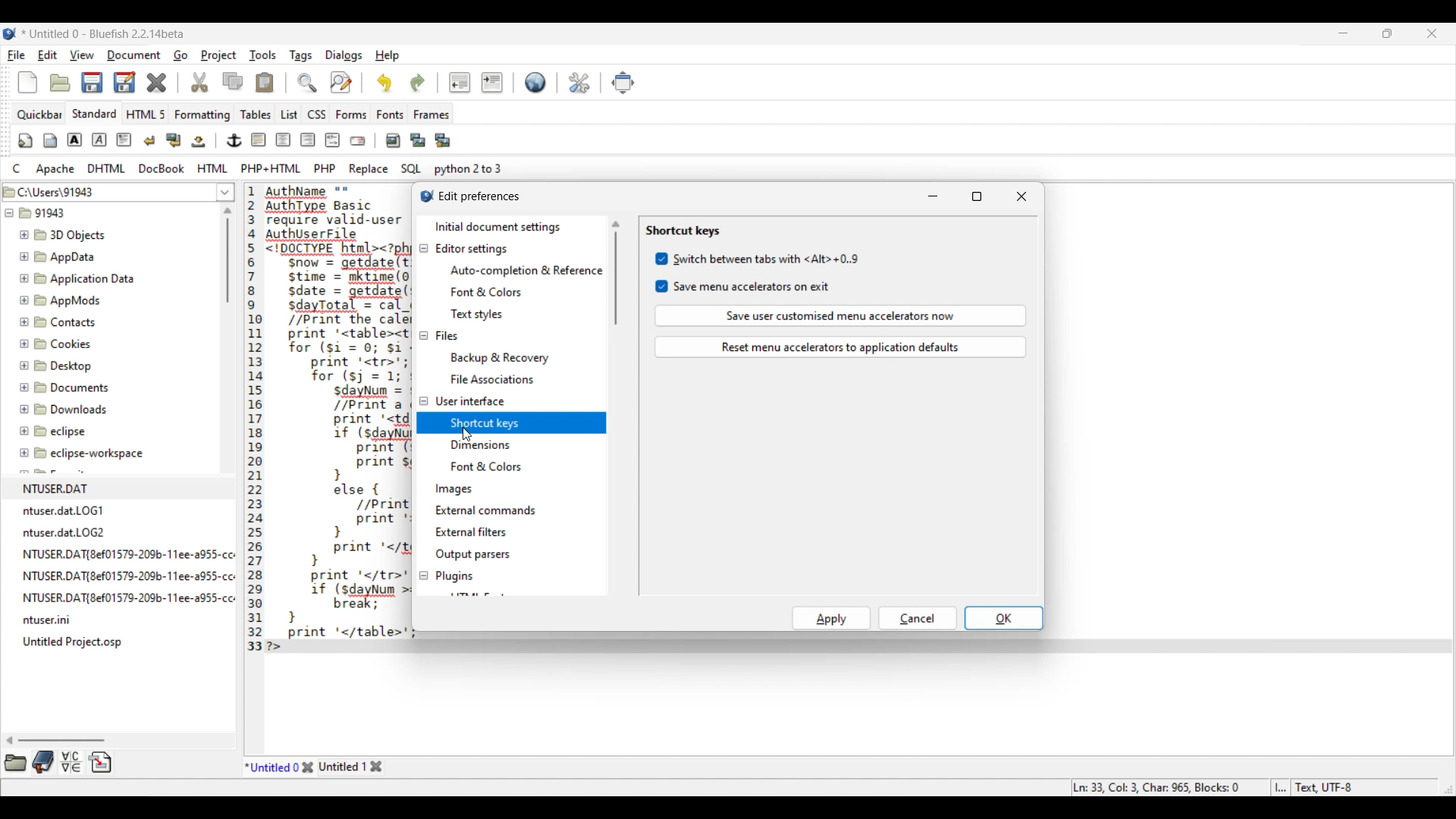 This screenshot has height=819, width=1456. Describe the element at coordinates (96, 454) in the screenshot. I see `9 eclipse-workspace` at that location.